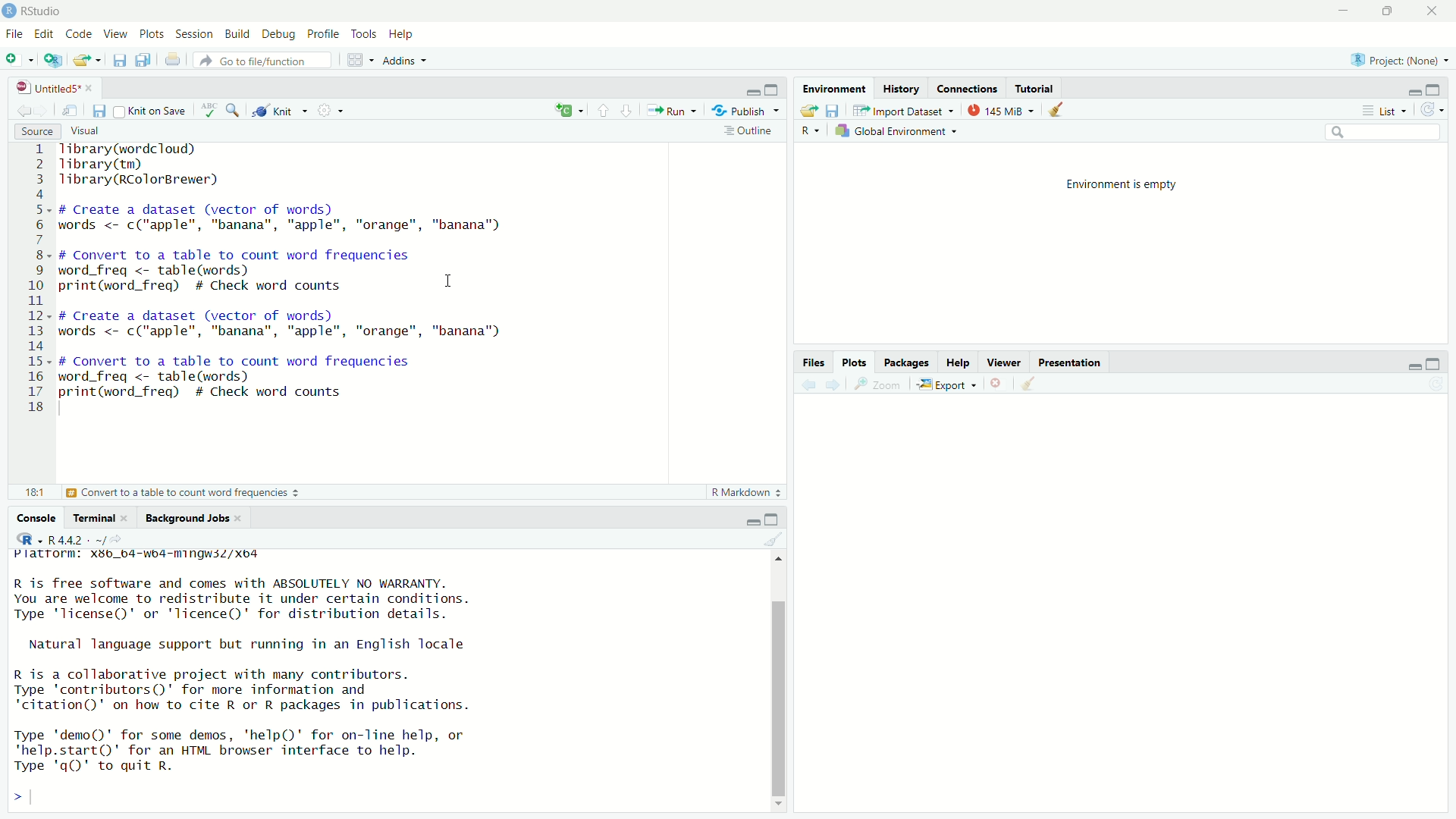 The height and width of the screenshot is (819, 1456). Describe the element at coordinates (811, 133) in the screenshot. I see `R` at that location.